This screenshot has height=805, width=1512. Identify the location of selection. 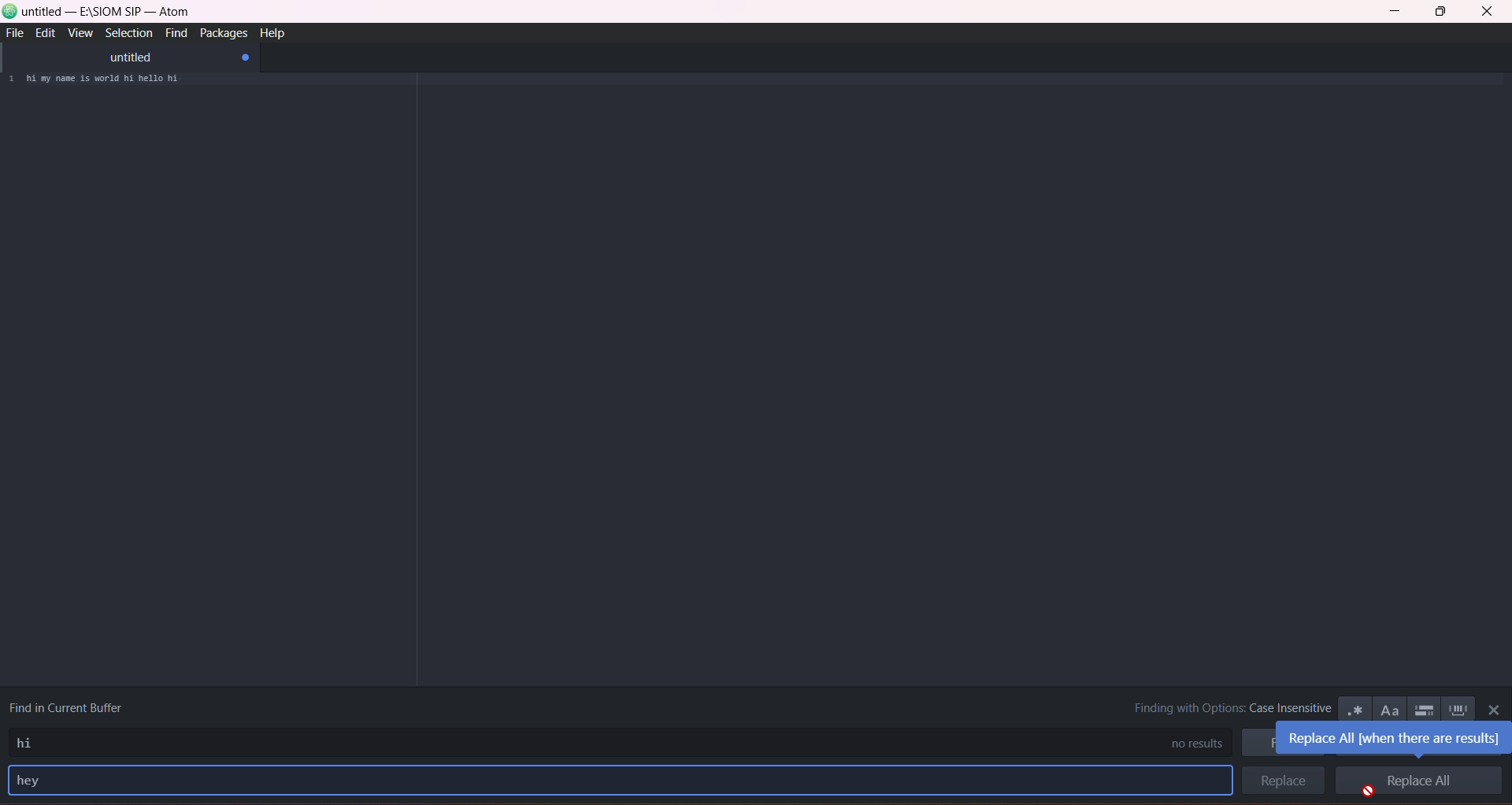
(127, 33).